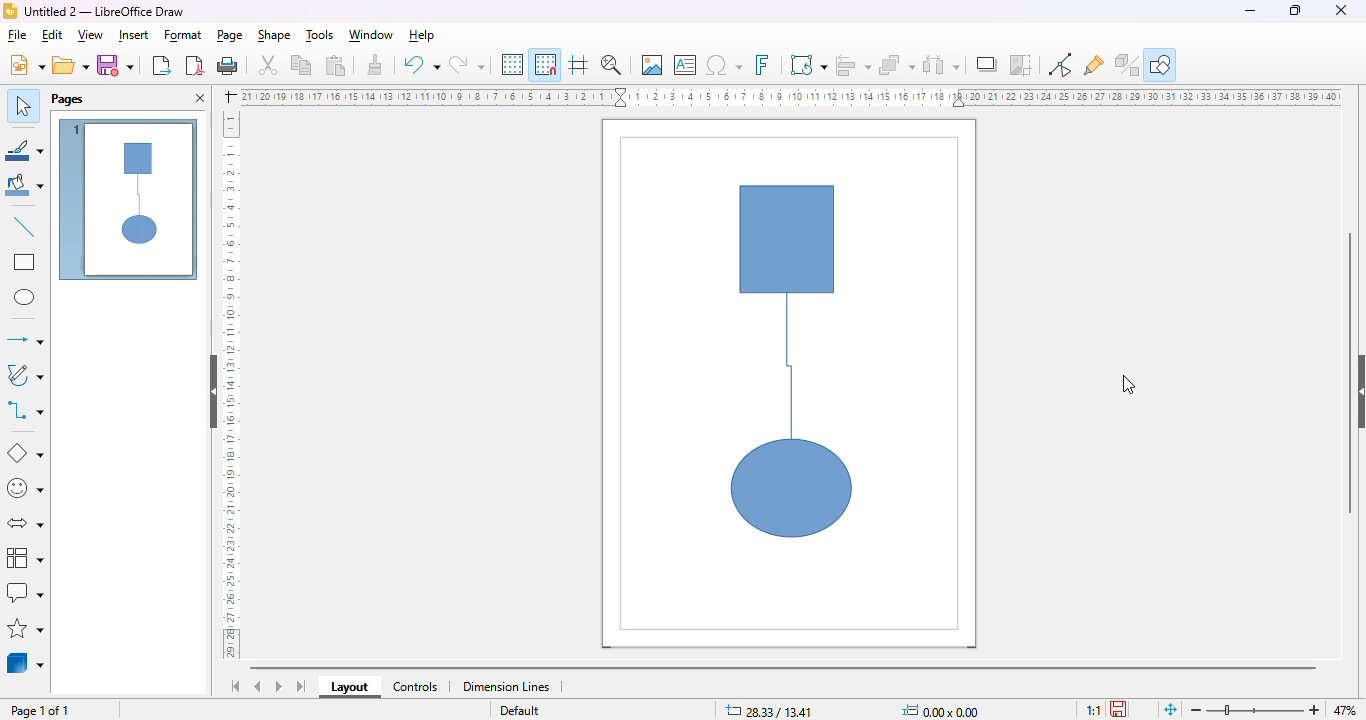  Describe the element at coordinates (26, 454) in the screenshot. I see `basic shapes` at that location.